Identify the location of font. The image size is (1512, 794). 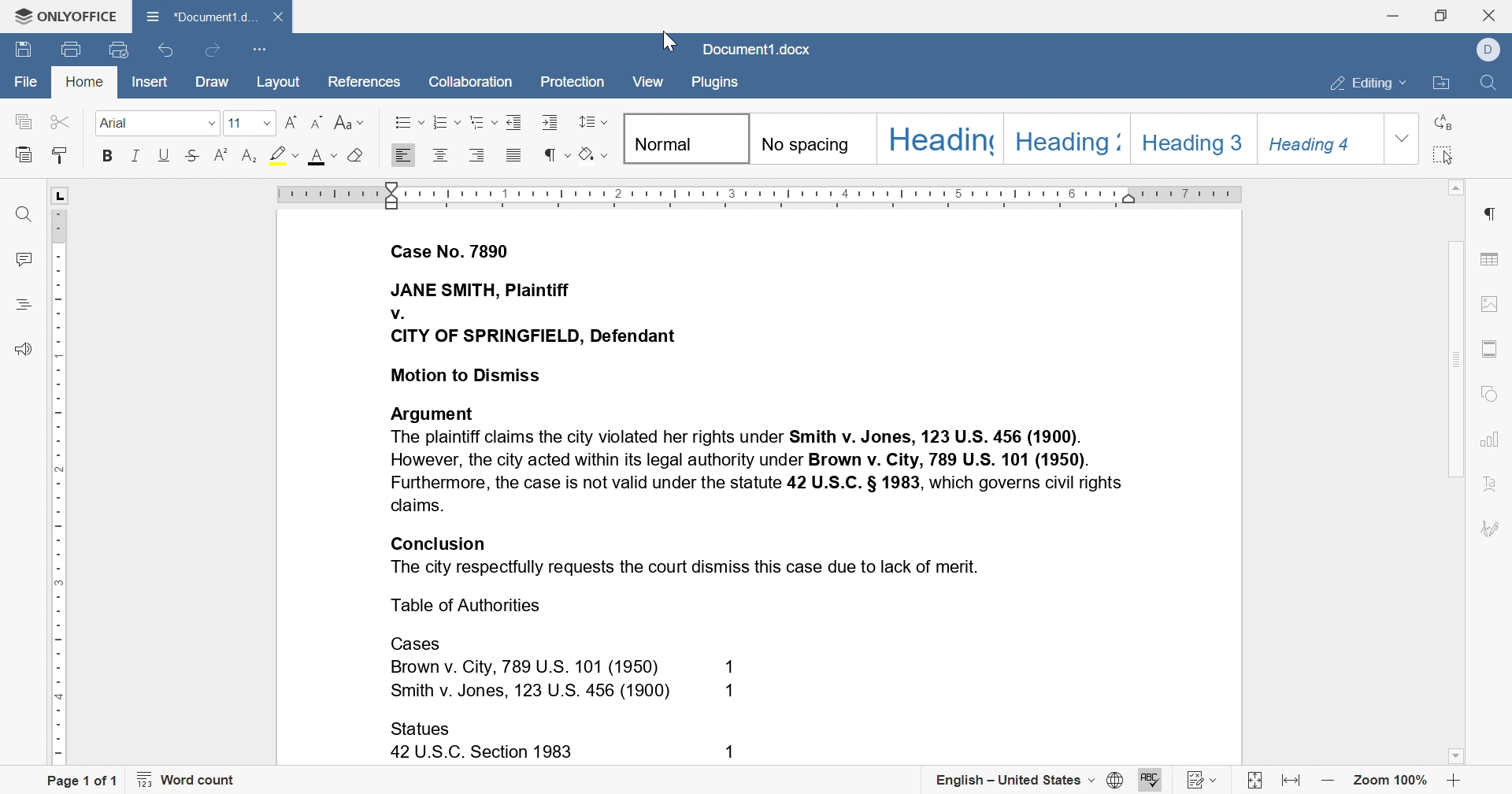
(321, 158).